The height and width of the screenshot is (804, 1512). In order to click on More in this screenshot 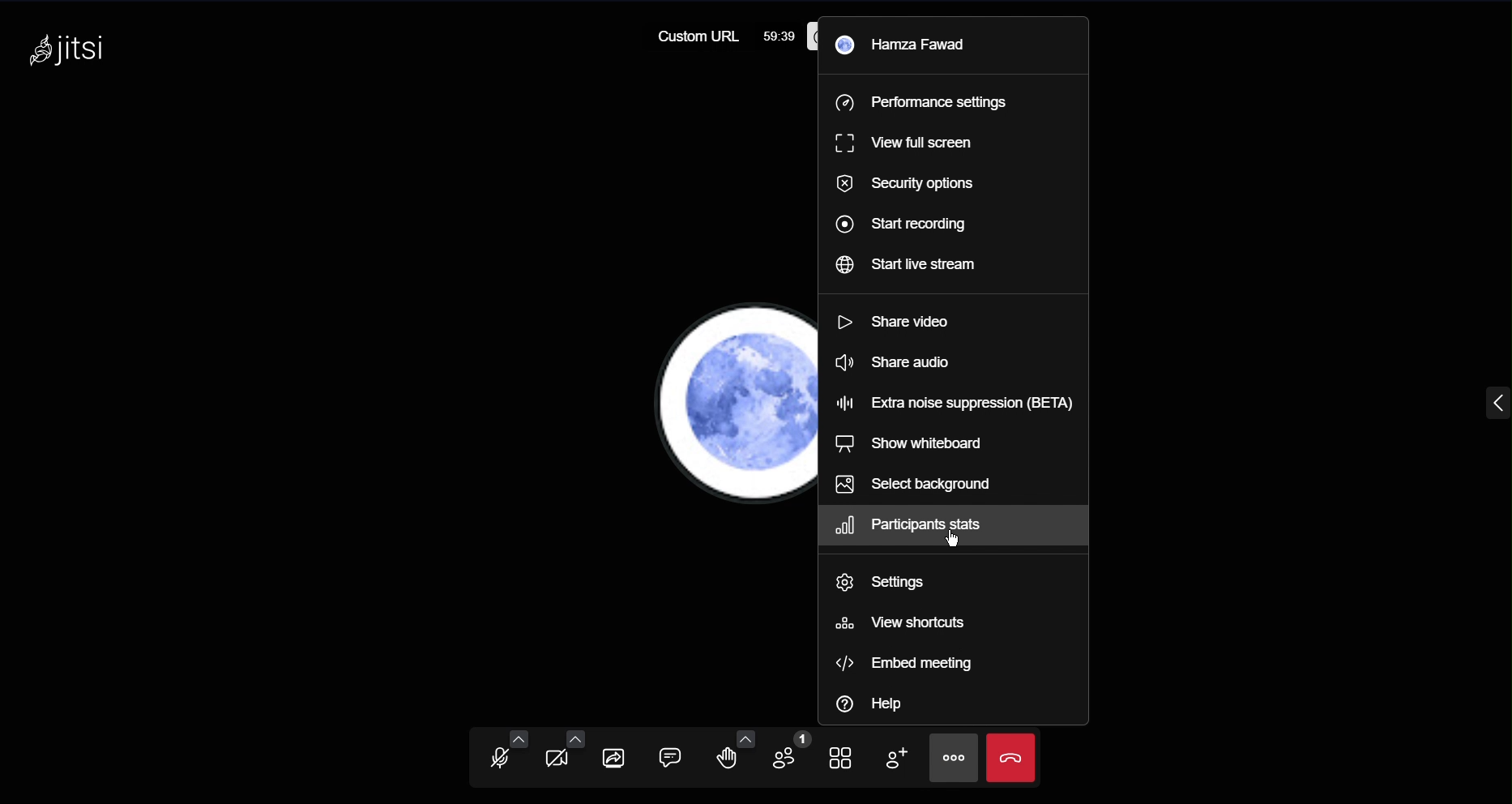, I will do `click(950, 755)`.